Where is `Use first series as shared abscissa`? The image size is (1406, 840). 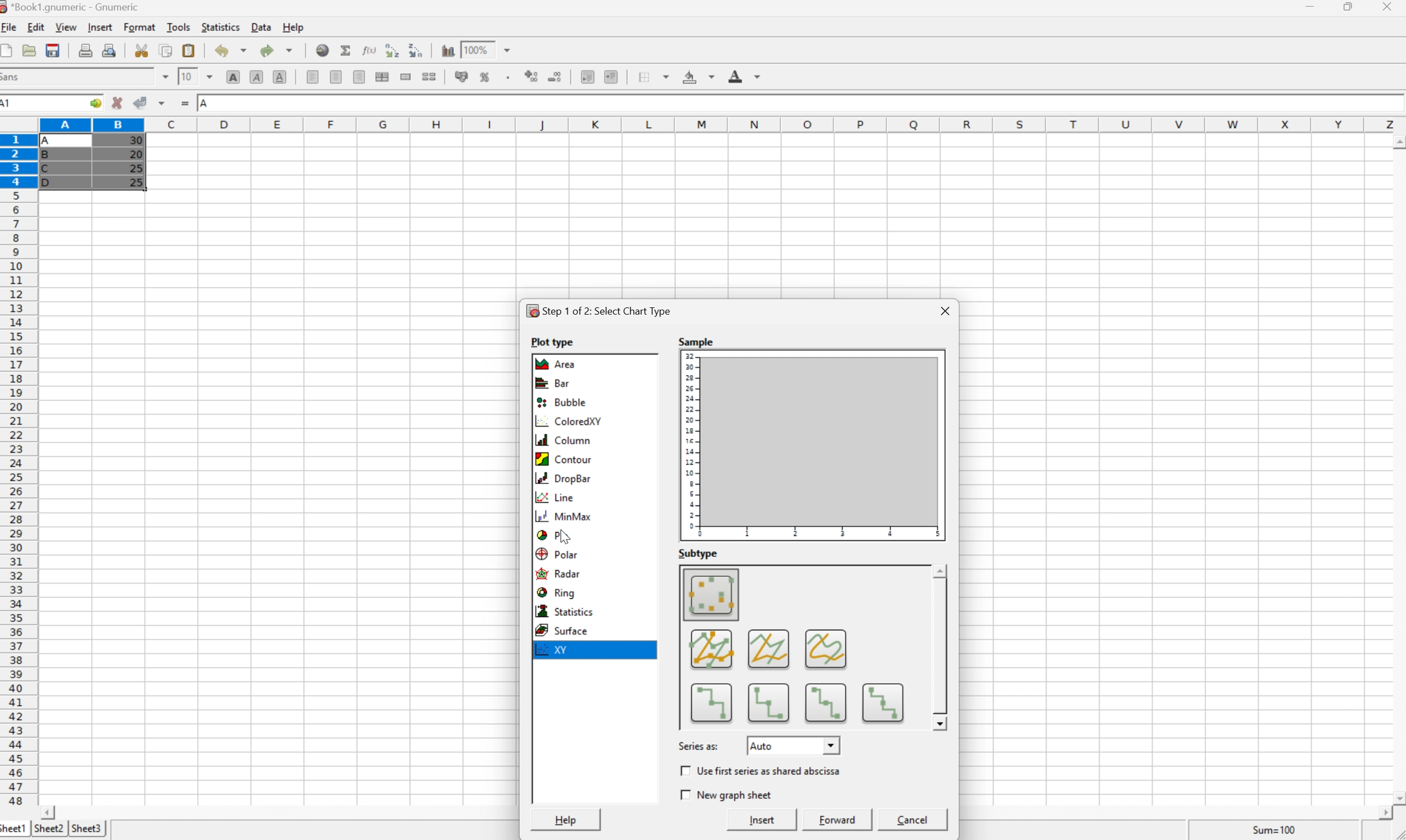
Use first series as shared abscissa is located at coordinates (770, 770).